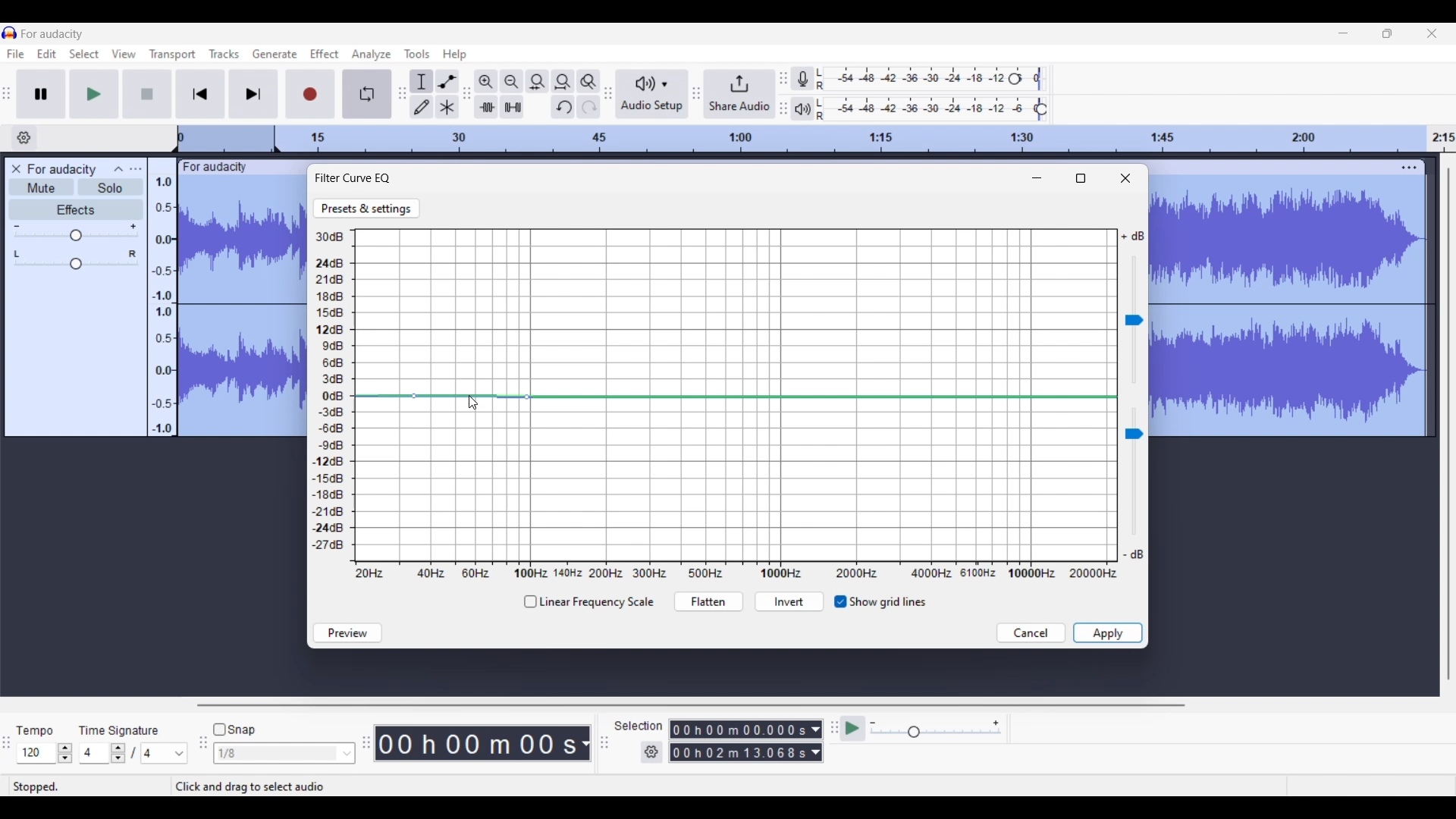 This screenshot has height=819, width=1456. I want to click on Y axis representing Decibel, so click(332, 392).